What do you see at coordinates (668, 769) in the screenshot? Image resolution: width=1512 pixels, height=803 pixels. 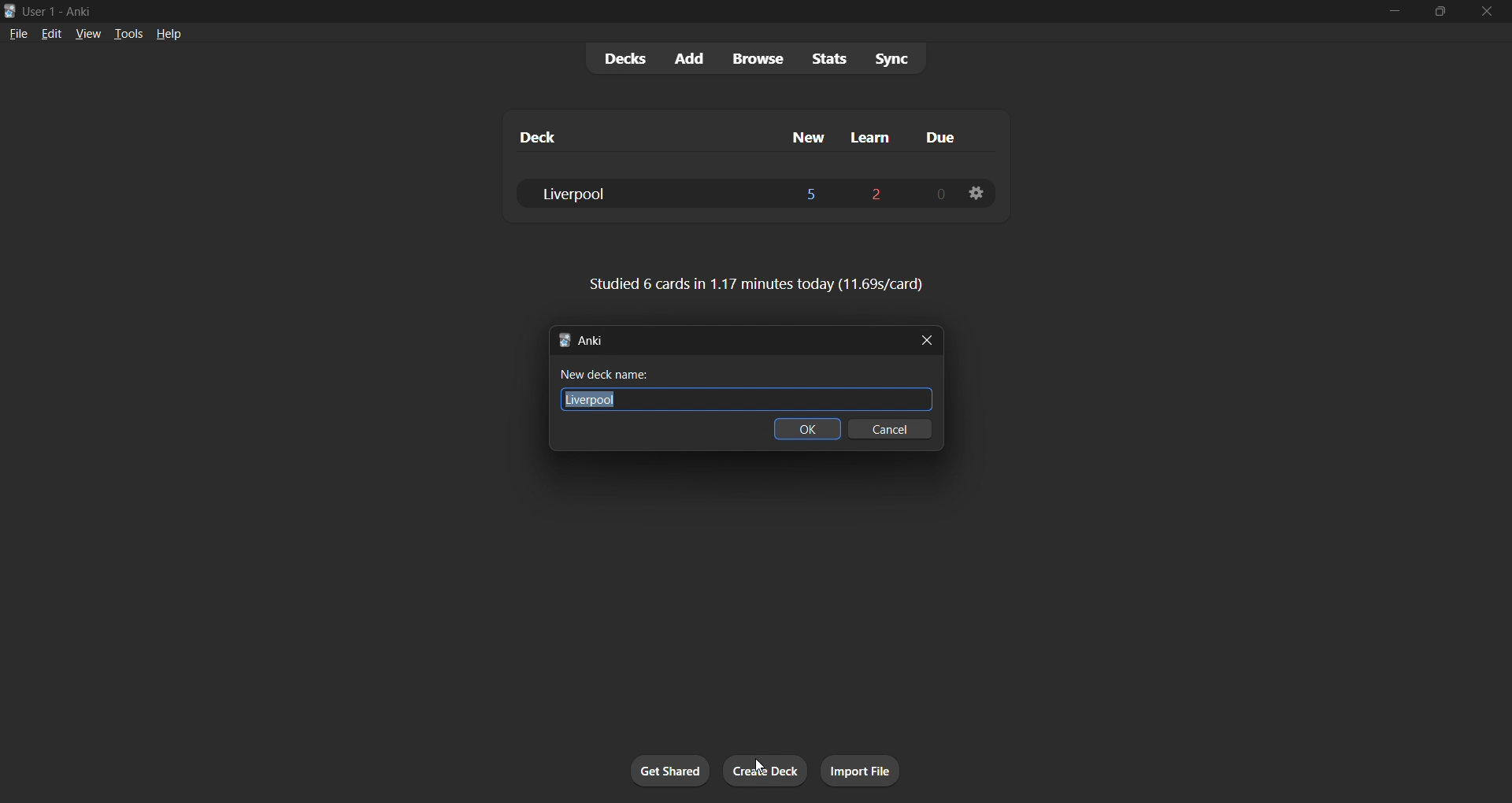 I see `get shared` at bounding box center [668, 769].